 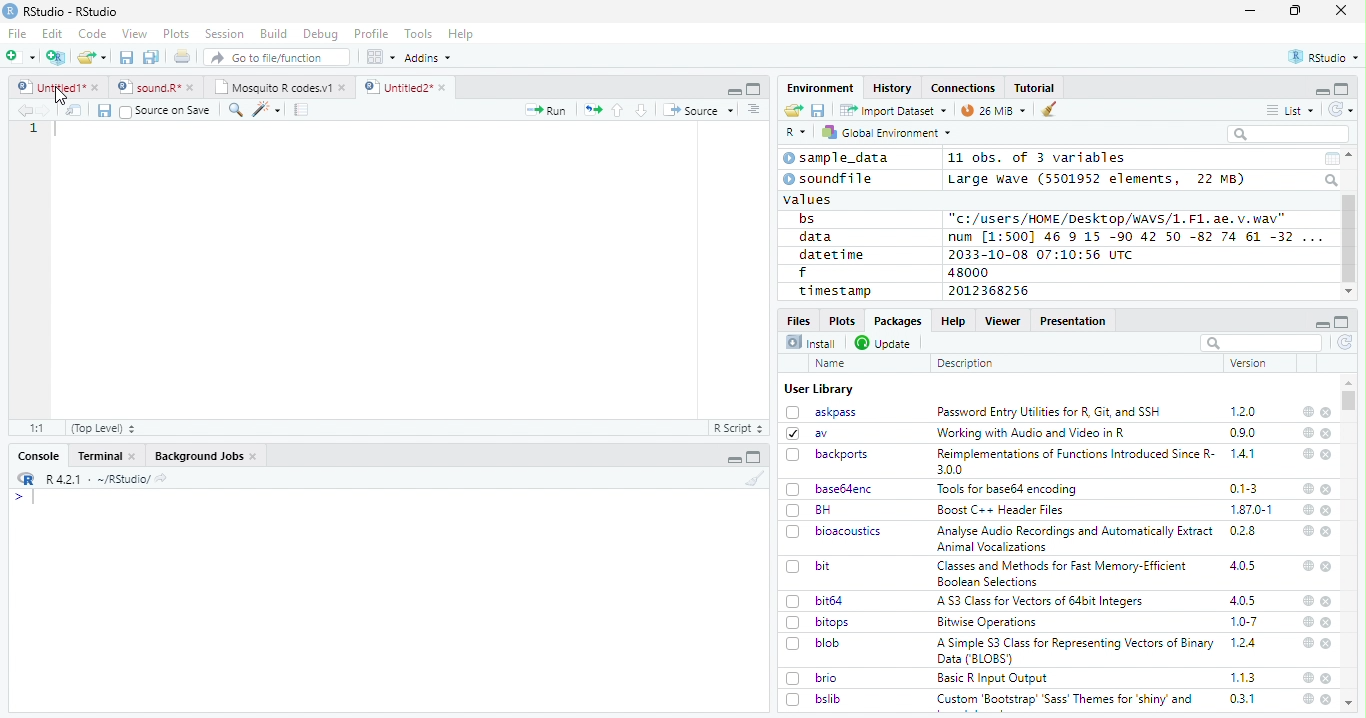 I want to click on blob, so click(x=813, y=643).